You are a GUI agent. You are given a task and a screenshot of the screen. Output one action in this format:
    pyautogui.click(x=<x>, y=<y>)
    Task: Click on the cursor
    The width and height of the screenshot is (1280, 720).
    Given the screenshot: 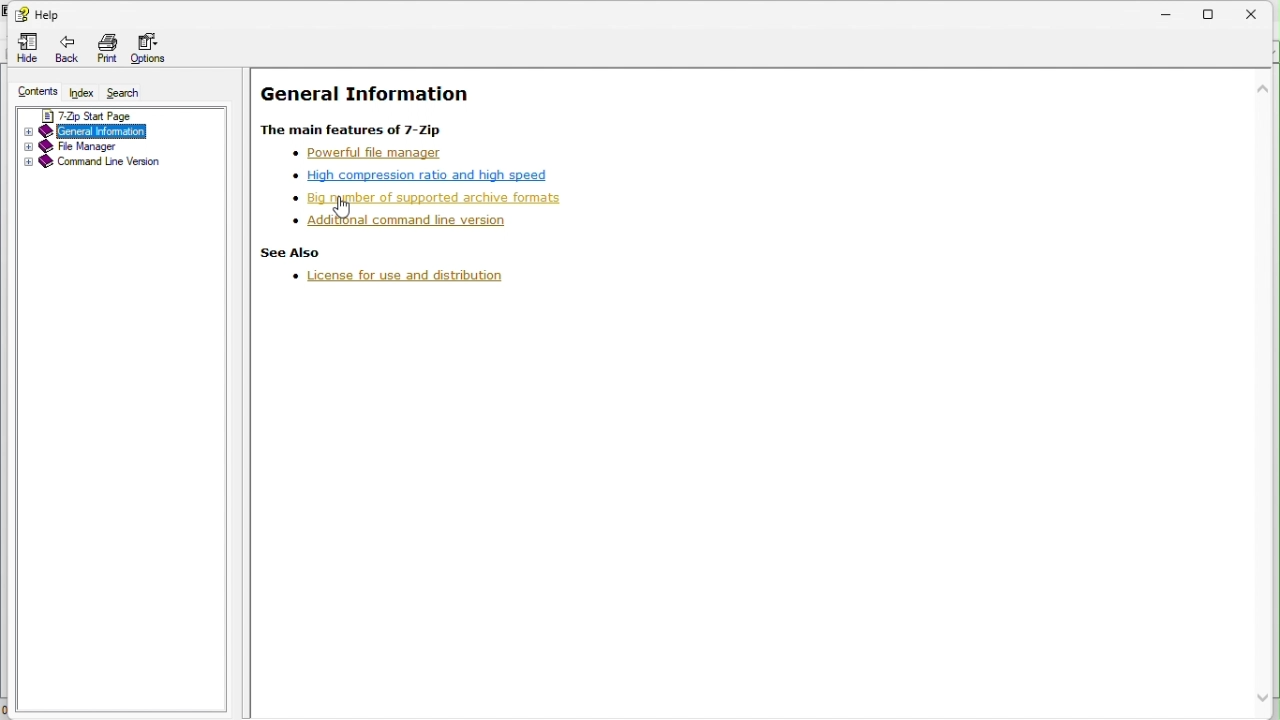 What is the action you would take?
    pyautogui.click(x=343, y=207)
    